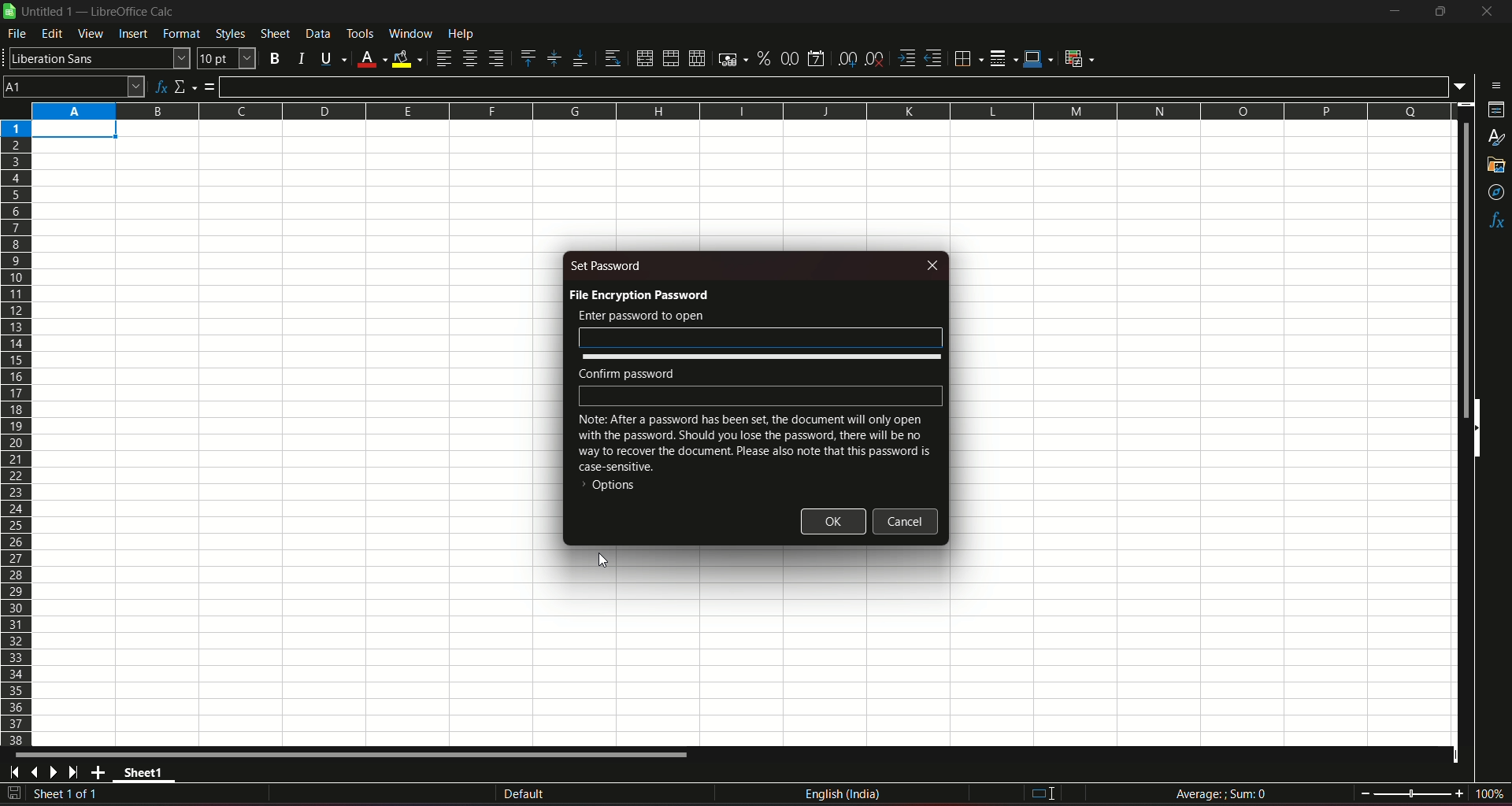  Describe the element at coordinates (638, 294) in the screenshot. I see `file encryption password` at that location.